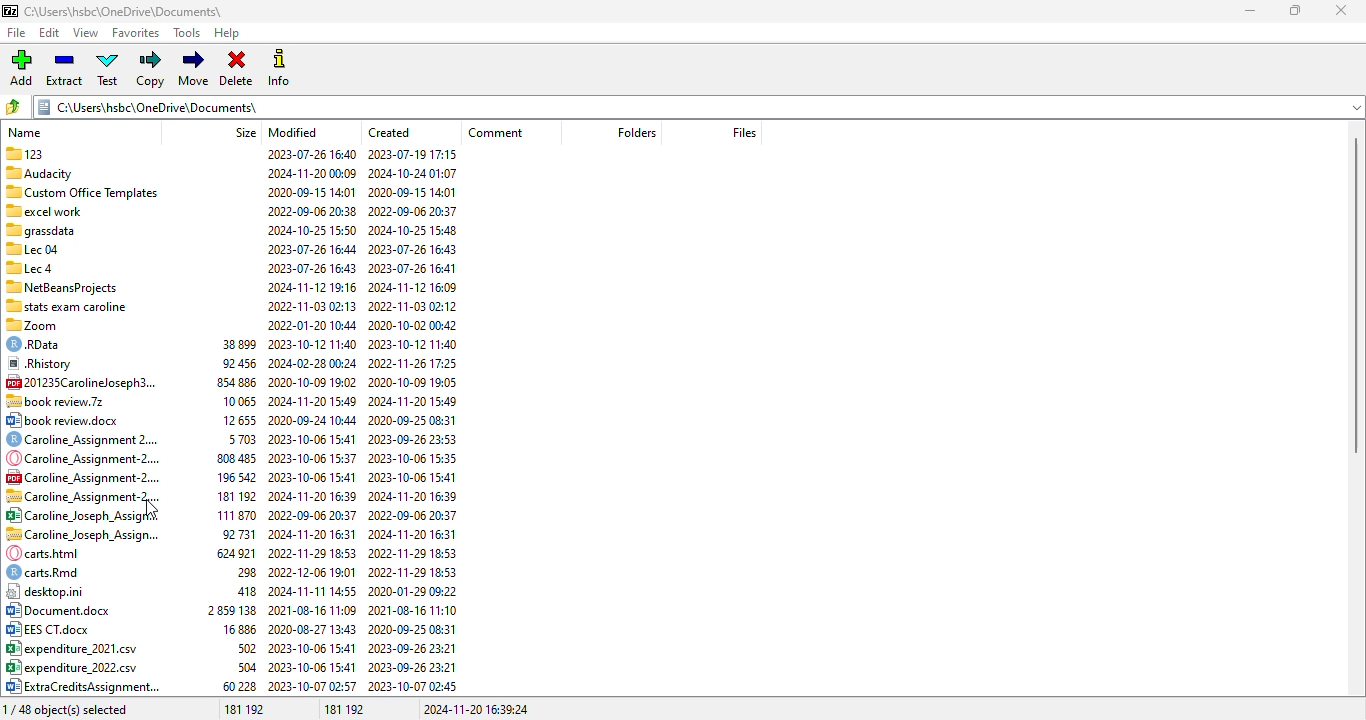 The image size is (1366, 720). What do you see at coordinates (229, 439) in the screenshot?
I see `) Caroline_Assignment 2.... 5703 2023-10-06 15:41 2023-09-26 23:53` at bounding box center [229, 439].